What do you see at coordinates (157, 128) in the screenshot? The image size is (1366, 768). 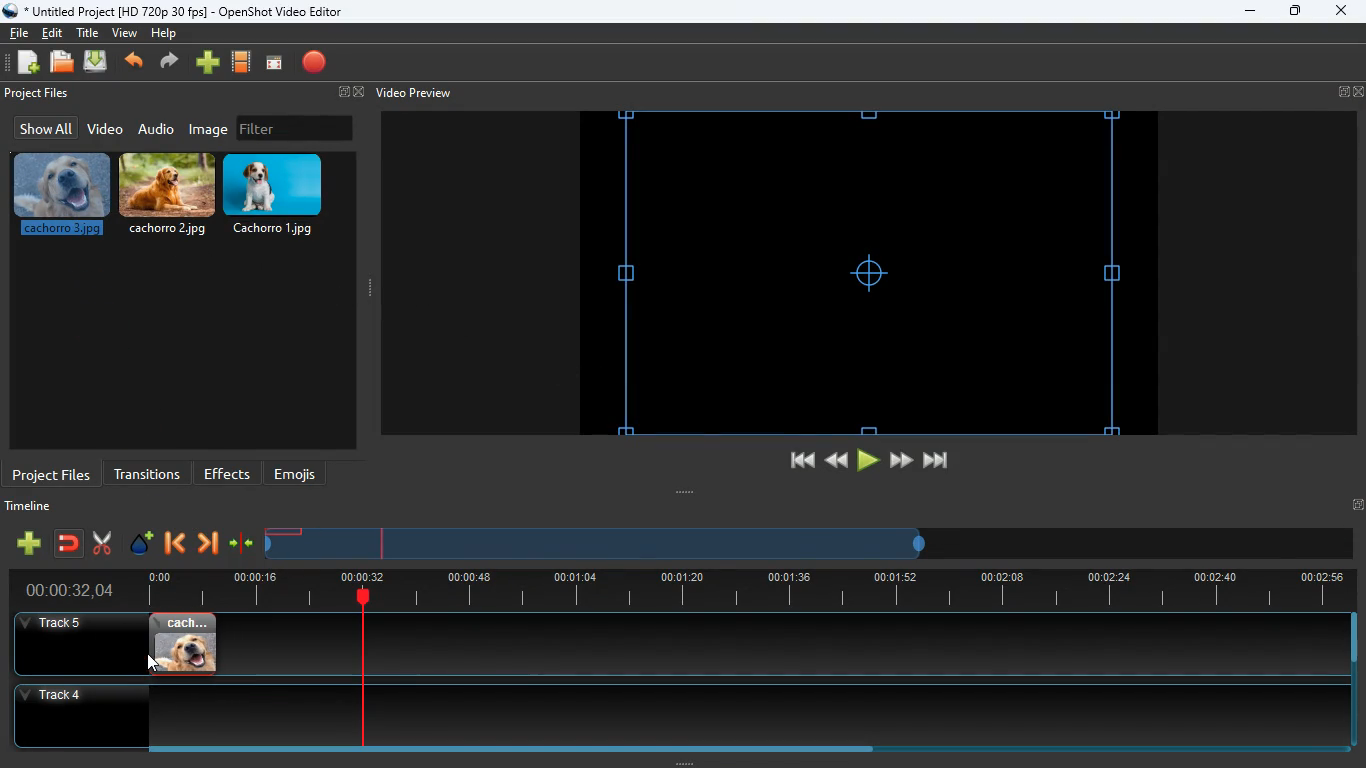 I see `audio` at bounding box center [157, 128].